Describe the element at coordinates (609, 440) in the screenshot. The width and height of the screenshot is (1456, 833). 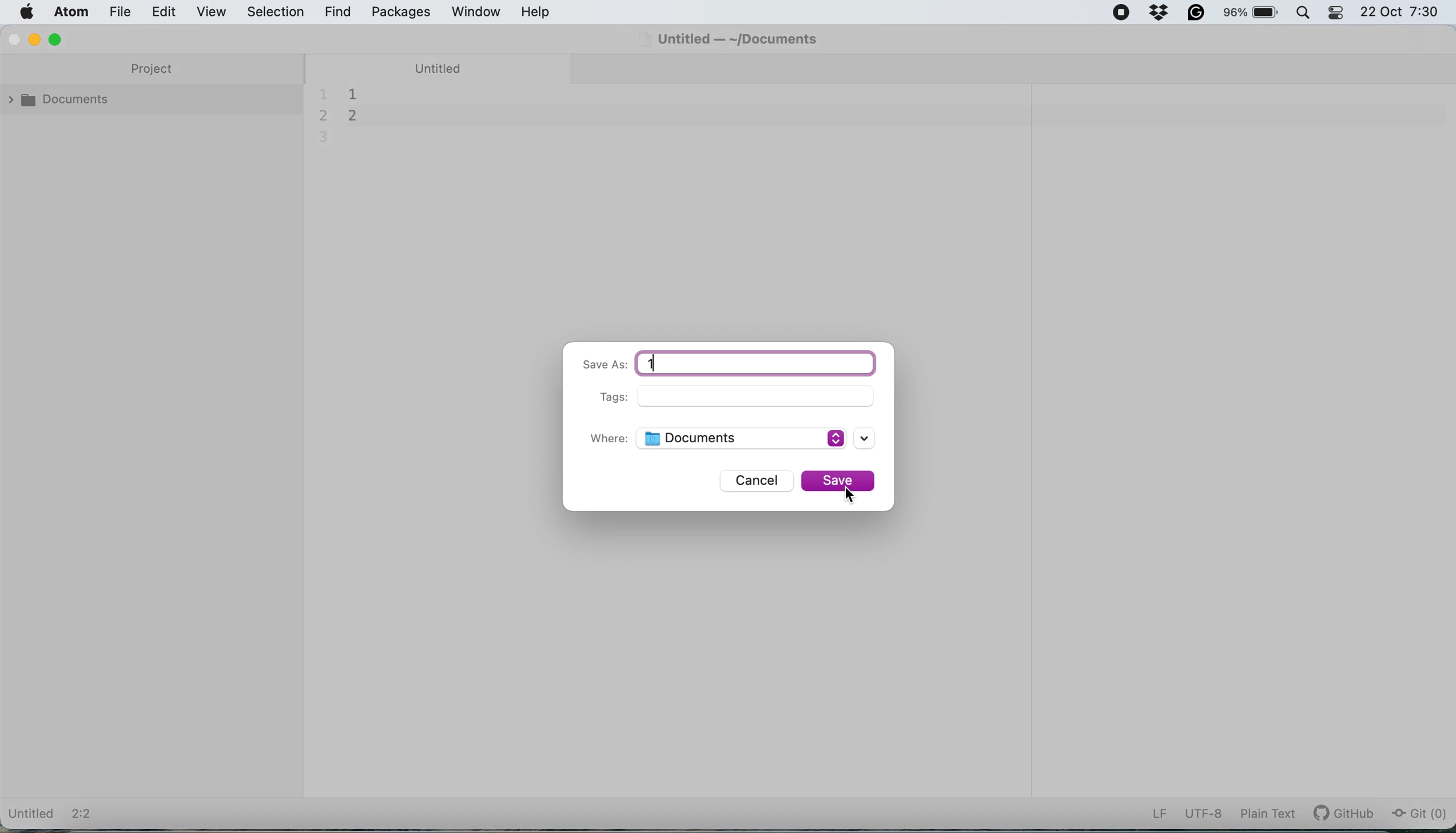
I see `Where:` at that location.